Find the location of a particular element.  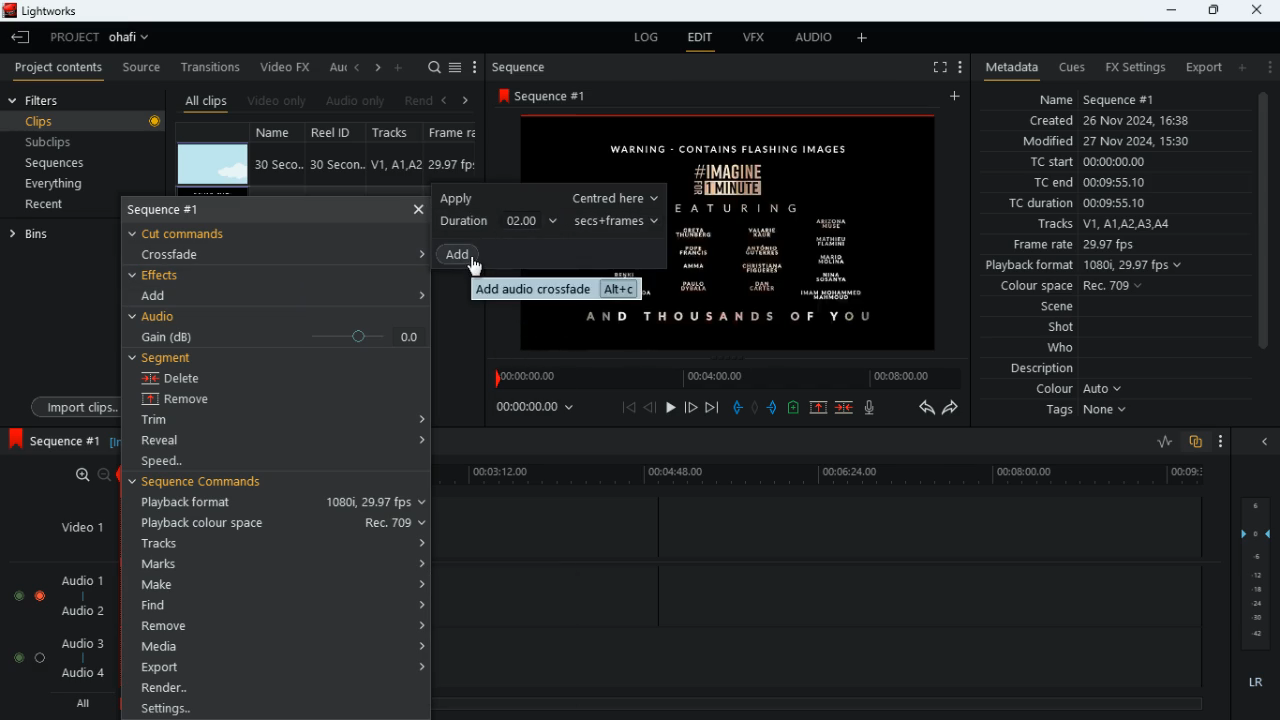

right is located at coordinates (378, 69).